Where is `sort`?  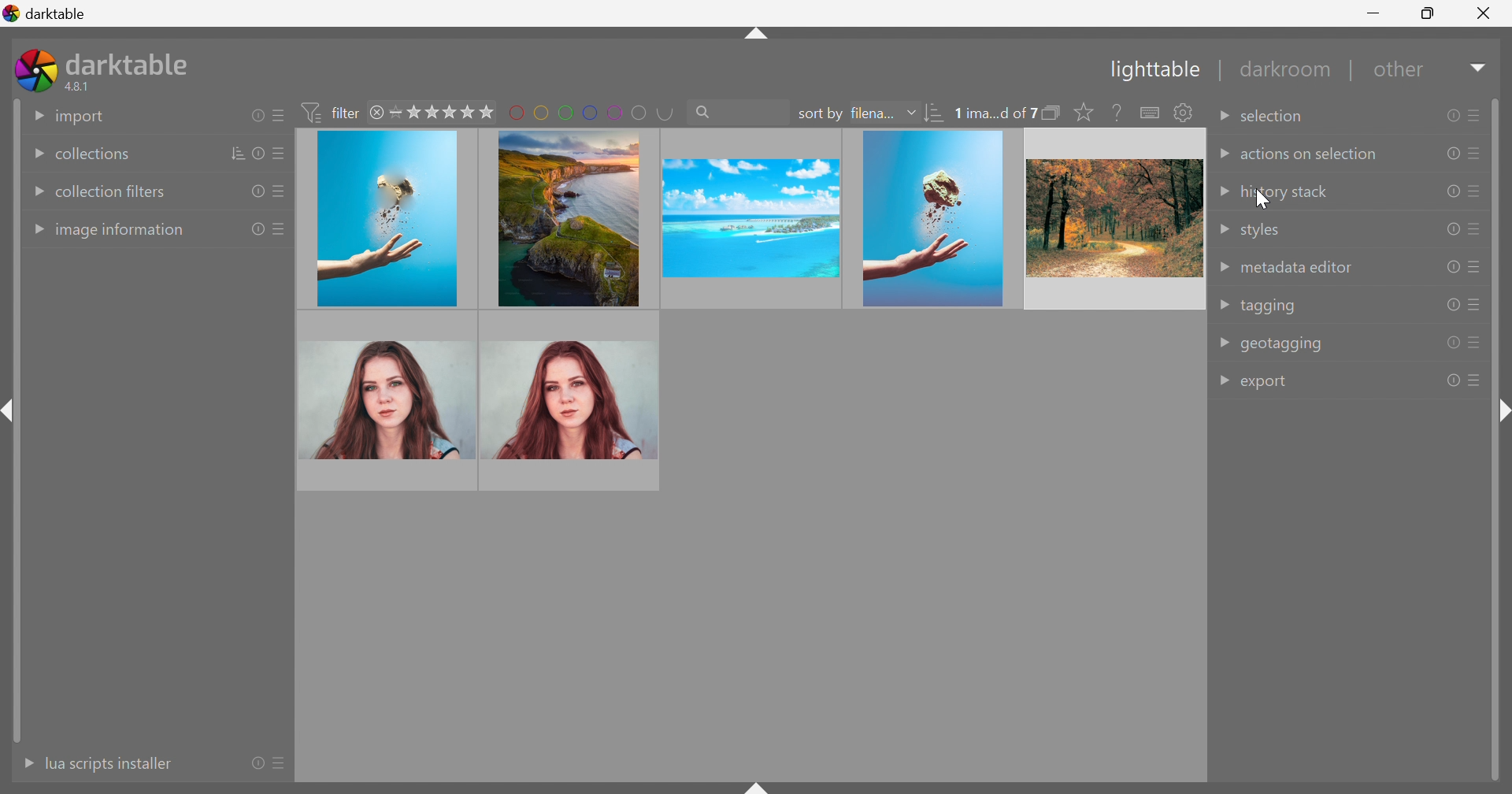 sort is located at coordinates (935, 115).